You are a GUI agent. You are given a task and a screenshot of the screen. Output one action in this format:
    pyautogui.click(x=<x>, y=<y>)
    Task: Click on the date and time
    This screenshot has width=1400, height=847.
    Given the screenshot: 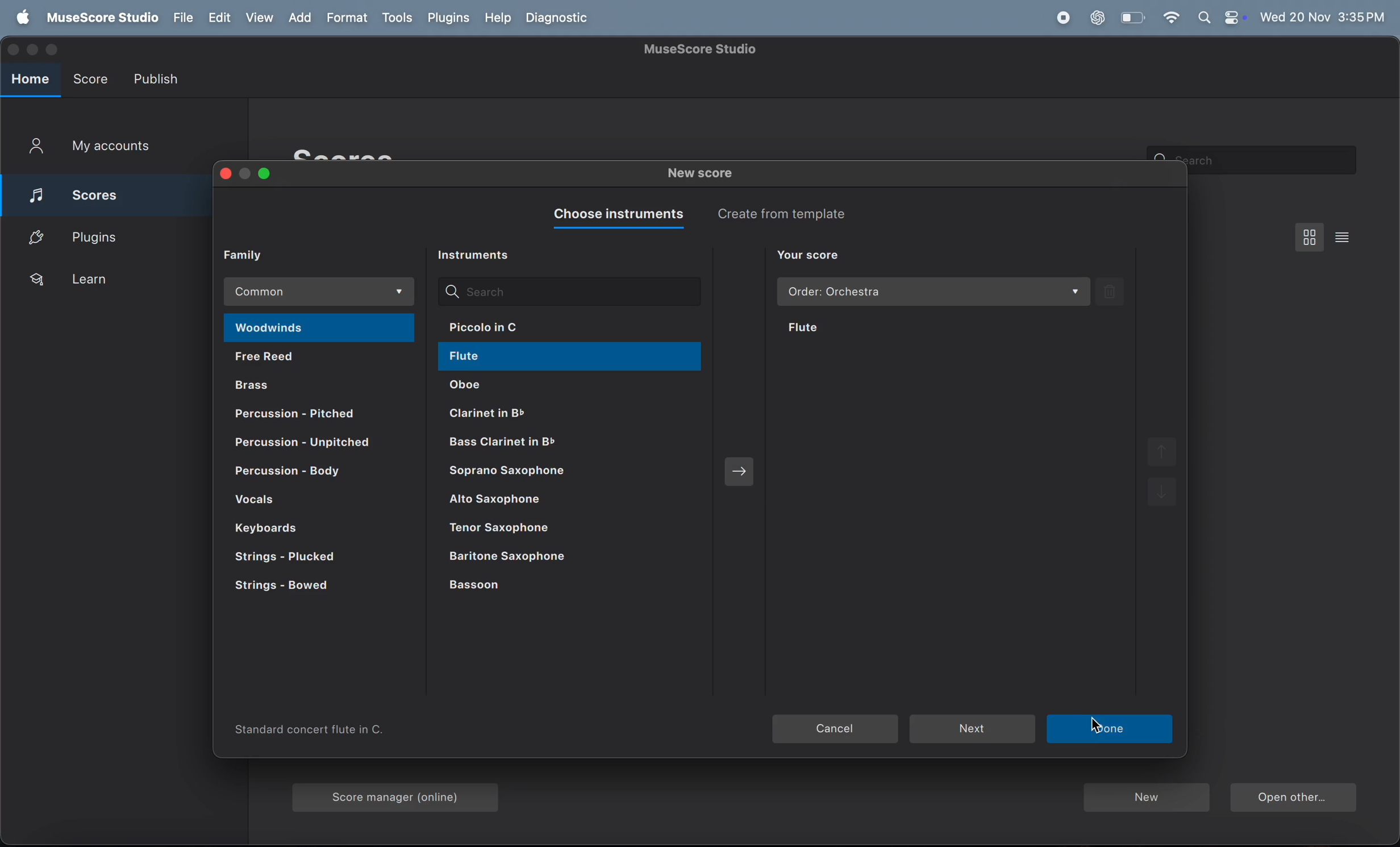 What is the action you would take?
    pyautogui.click(x=1323, y=15)
    